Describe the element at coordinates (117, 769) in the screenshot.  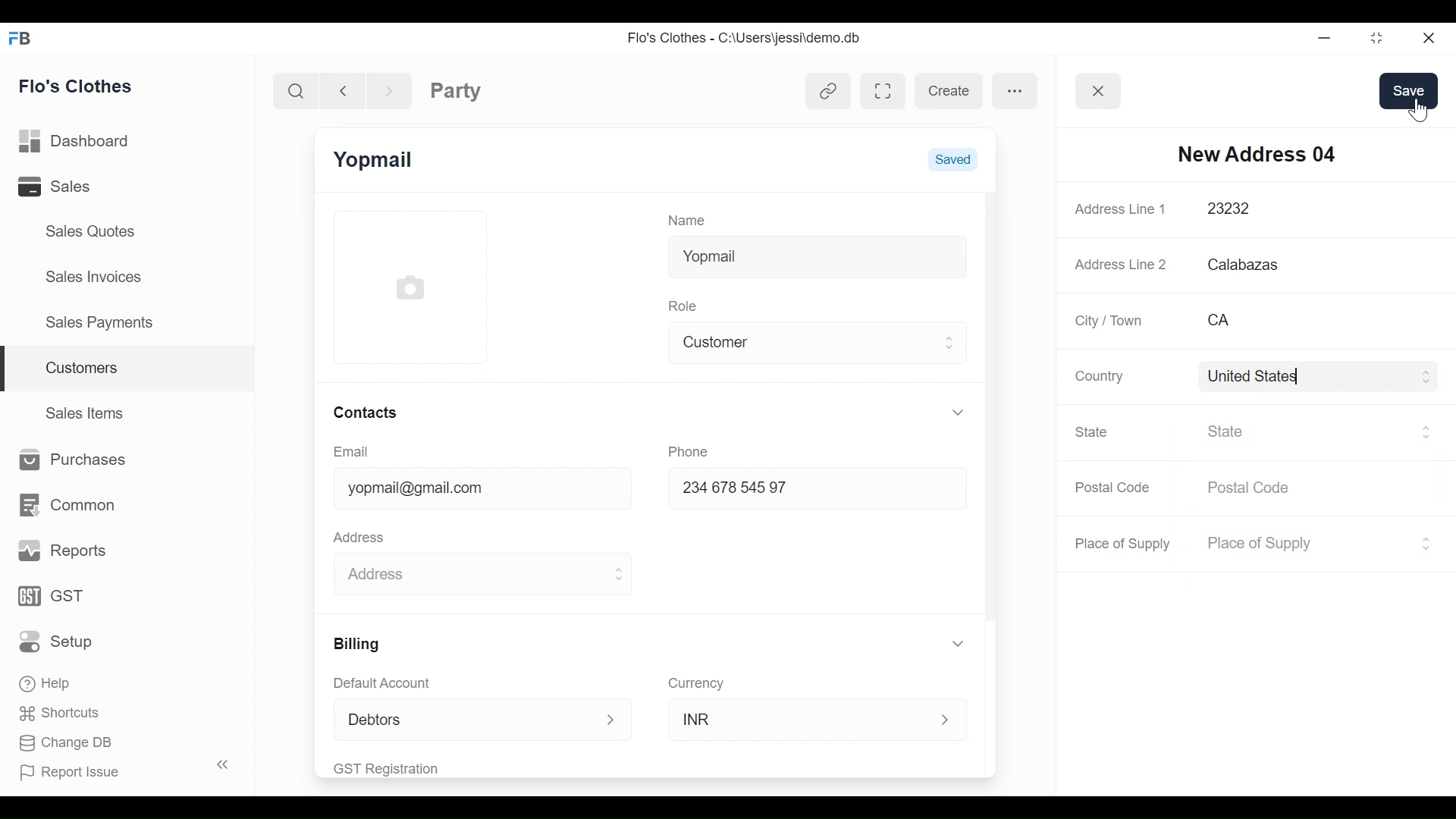
I see `Report Issue` at that location.